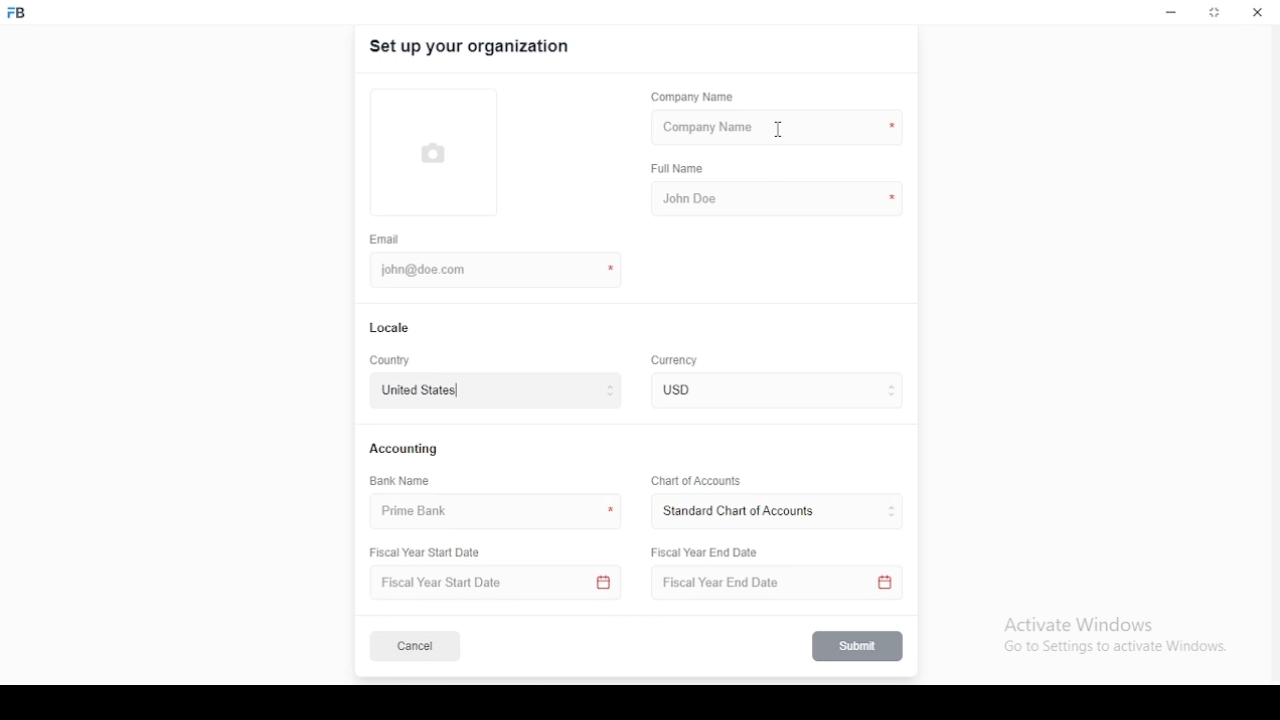  I want to click on submit, so click(859, 646).